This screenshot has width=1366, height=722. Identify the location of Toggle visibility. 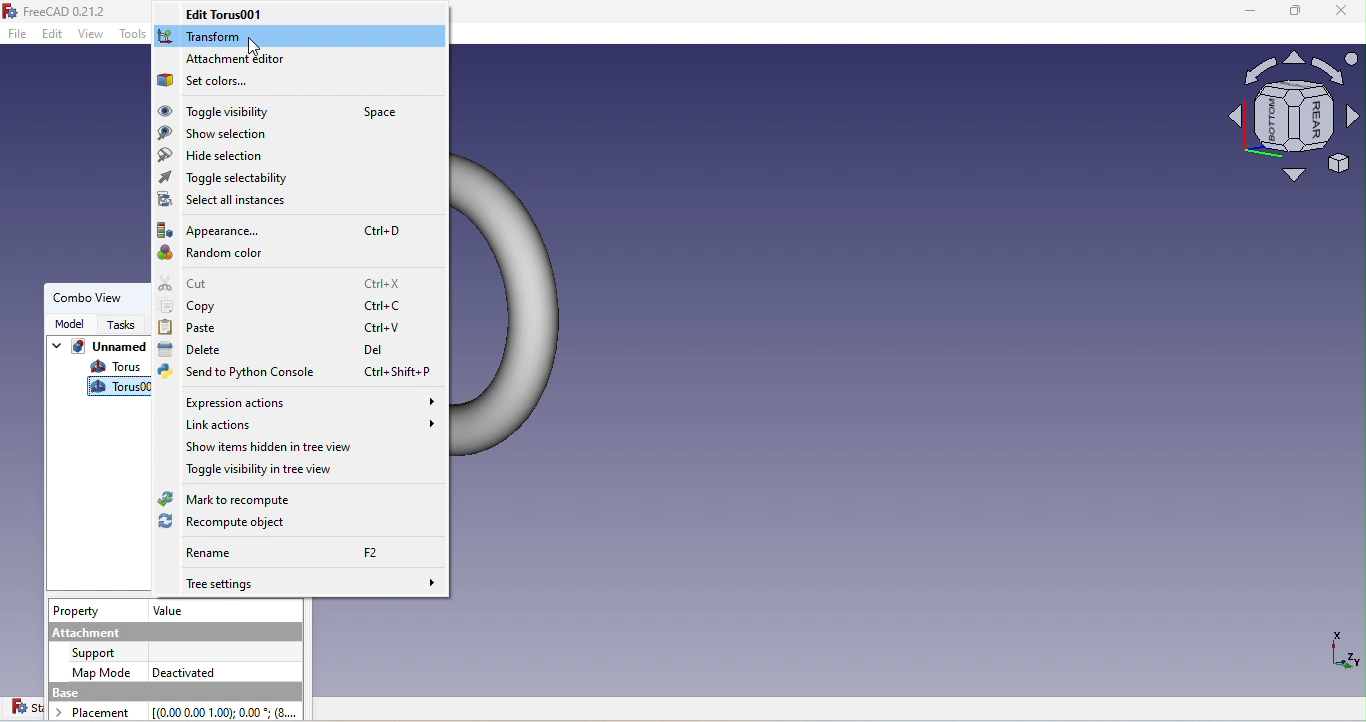
(279, 111).